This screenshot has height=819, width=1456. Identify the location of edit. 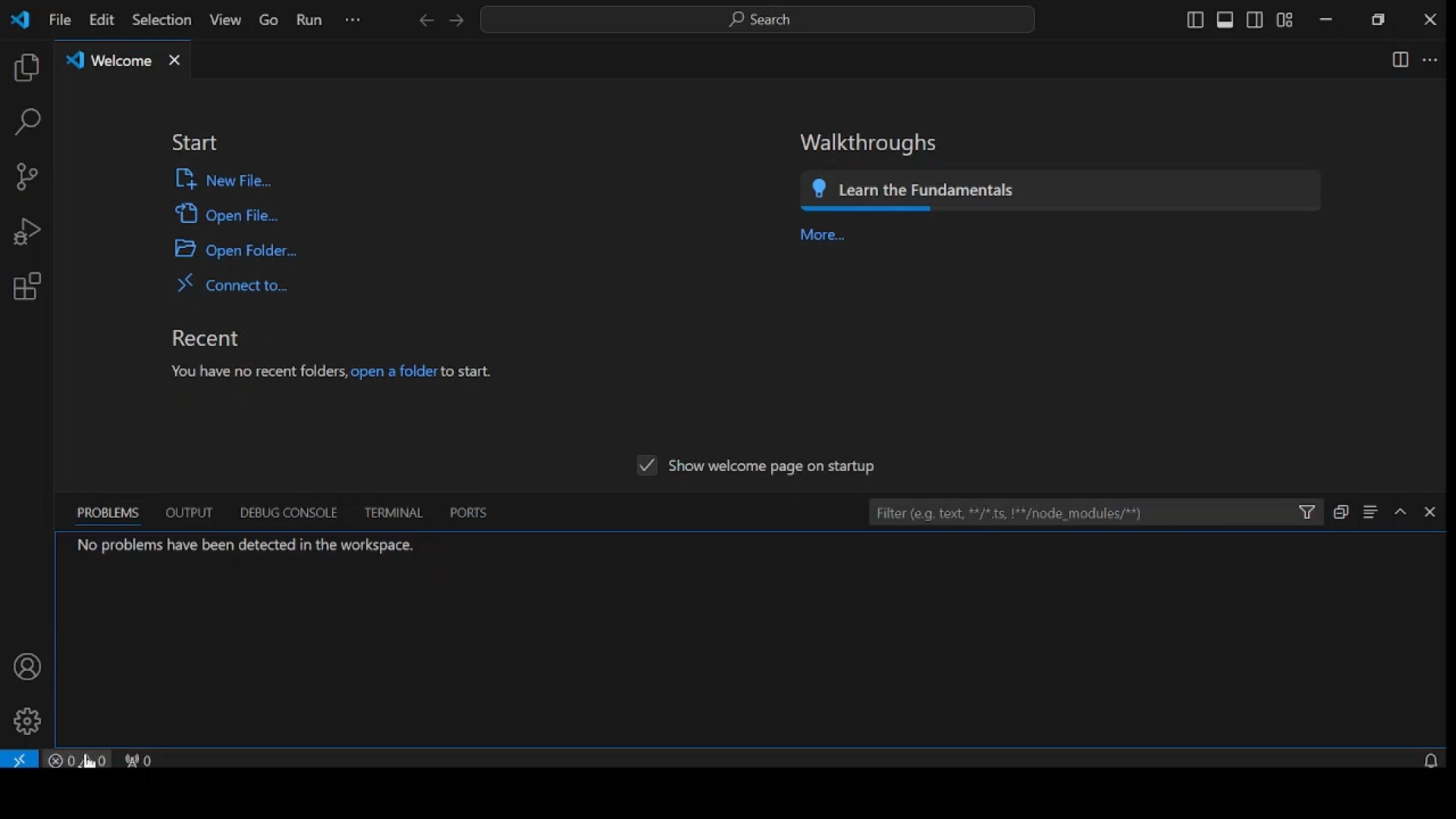
(100, 20).